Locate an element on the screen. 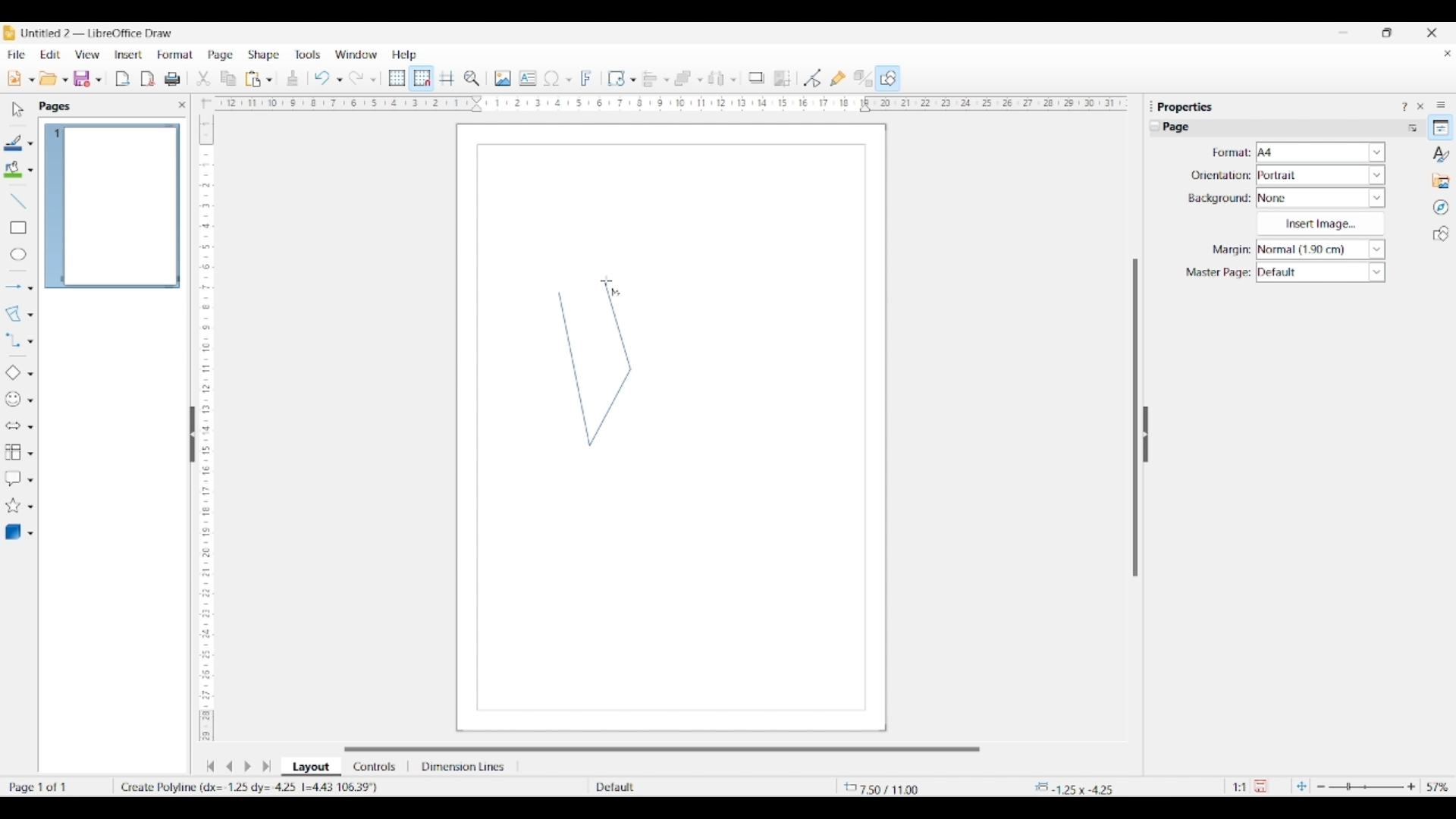  Click to save modifications is located at coordinates (1260, 786).